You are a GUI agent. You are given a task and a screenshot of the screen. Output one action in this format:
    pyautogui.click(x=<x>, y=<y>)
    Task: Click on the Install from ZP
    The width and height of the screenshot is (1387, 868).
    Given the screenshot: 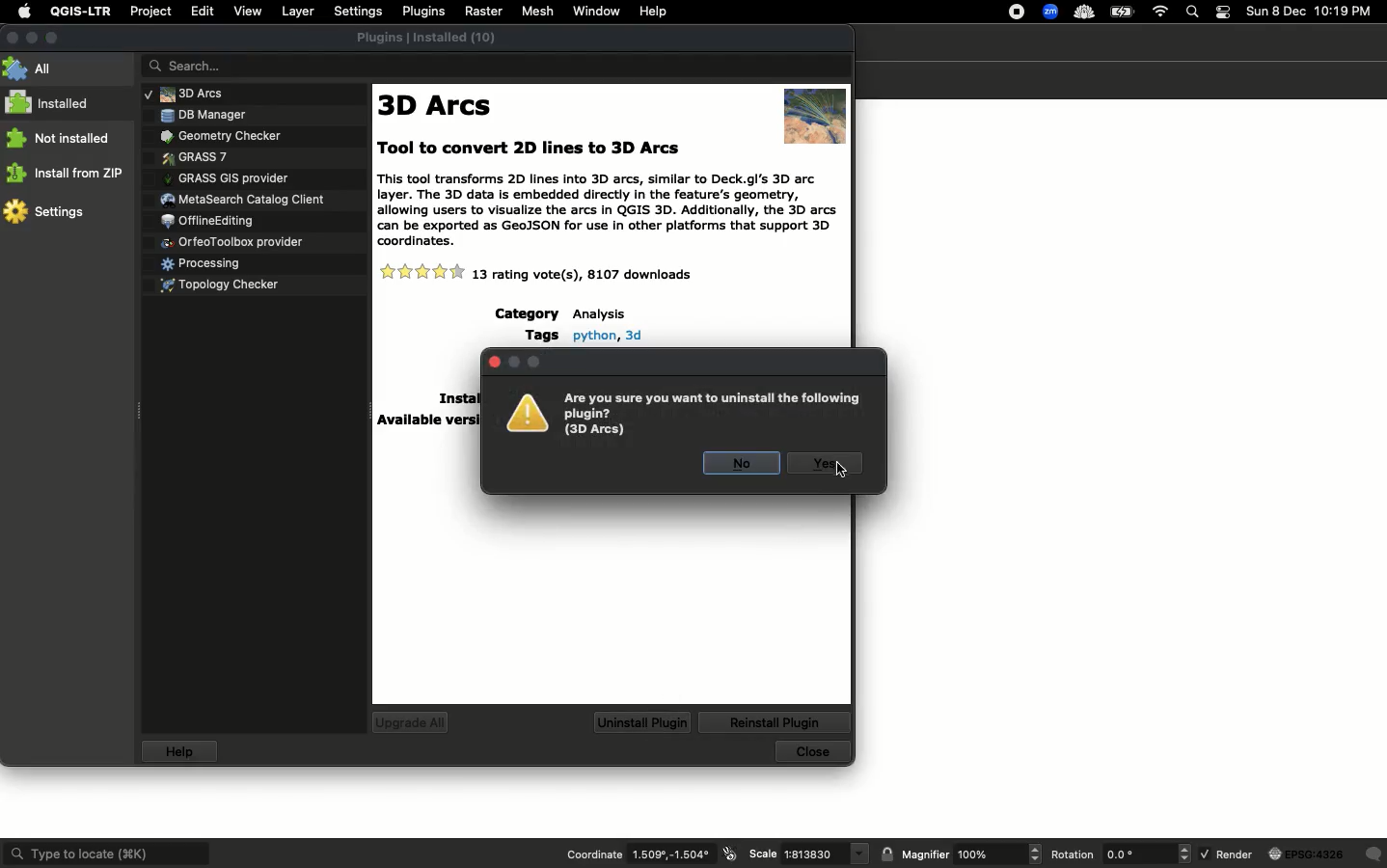 What is the action you would take?
    pyautogui.click(x=68, y=172)
    